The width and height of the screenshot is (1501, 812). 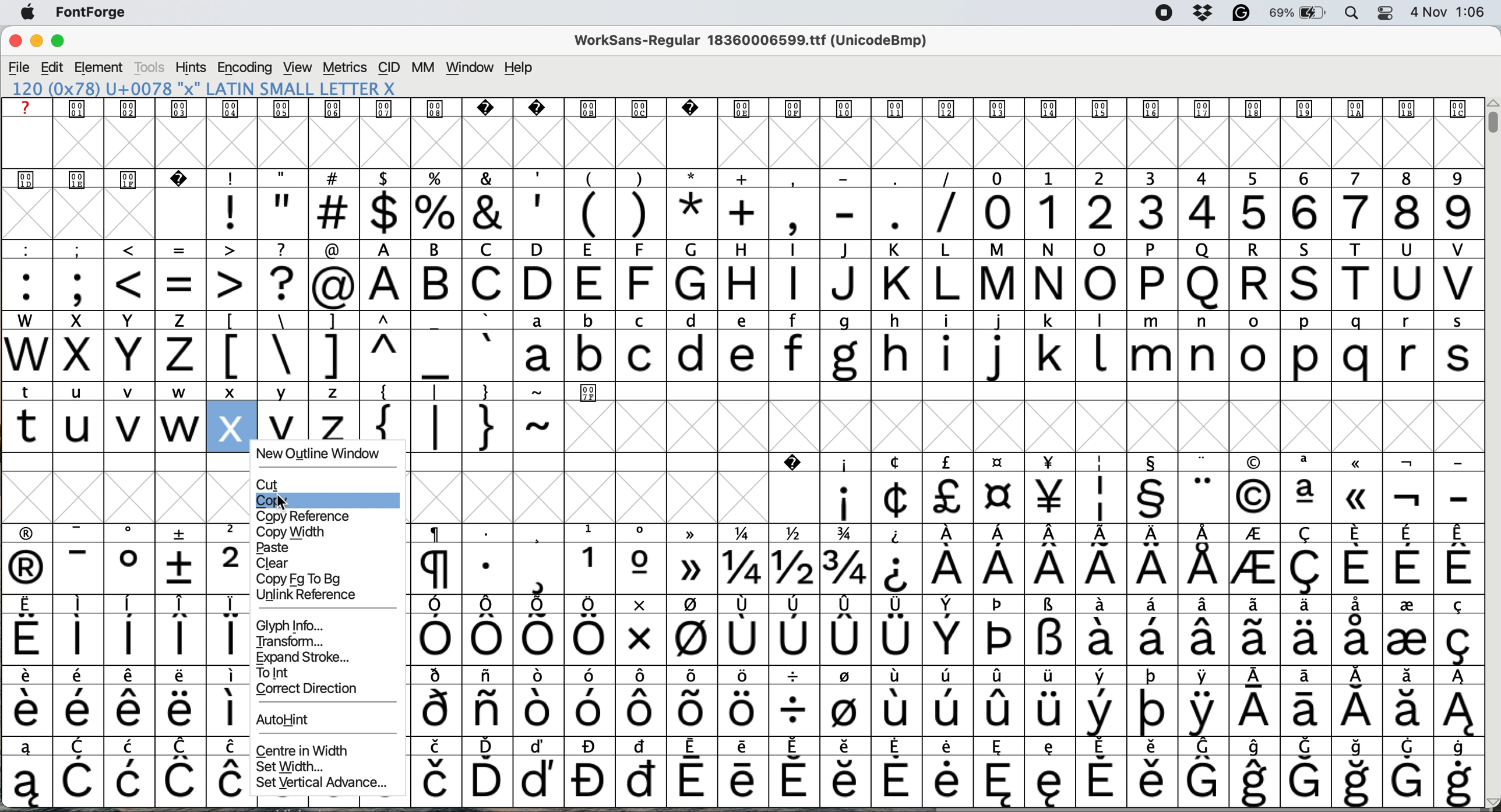 What do you see at coordinates (1449, 12) in the screenshot?
I see `date and time` at bounding box center [1449, 12].